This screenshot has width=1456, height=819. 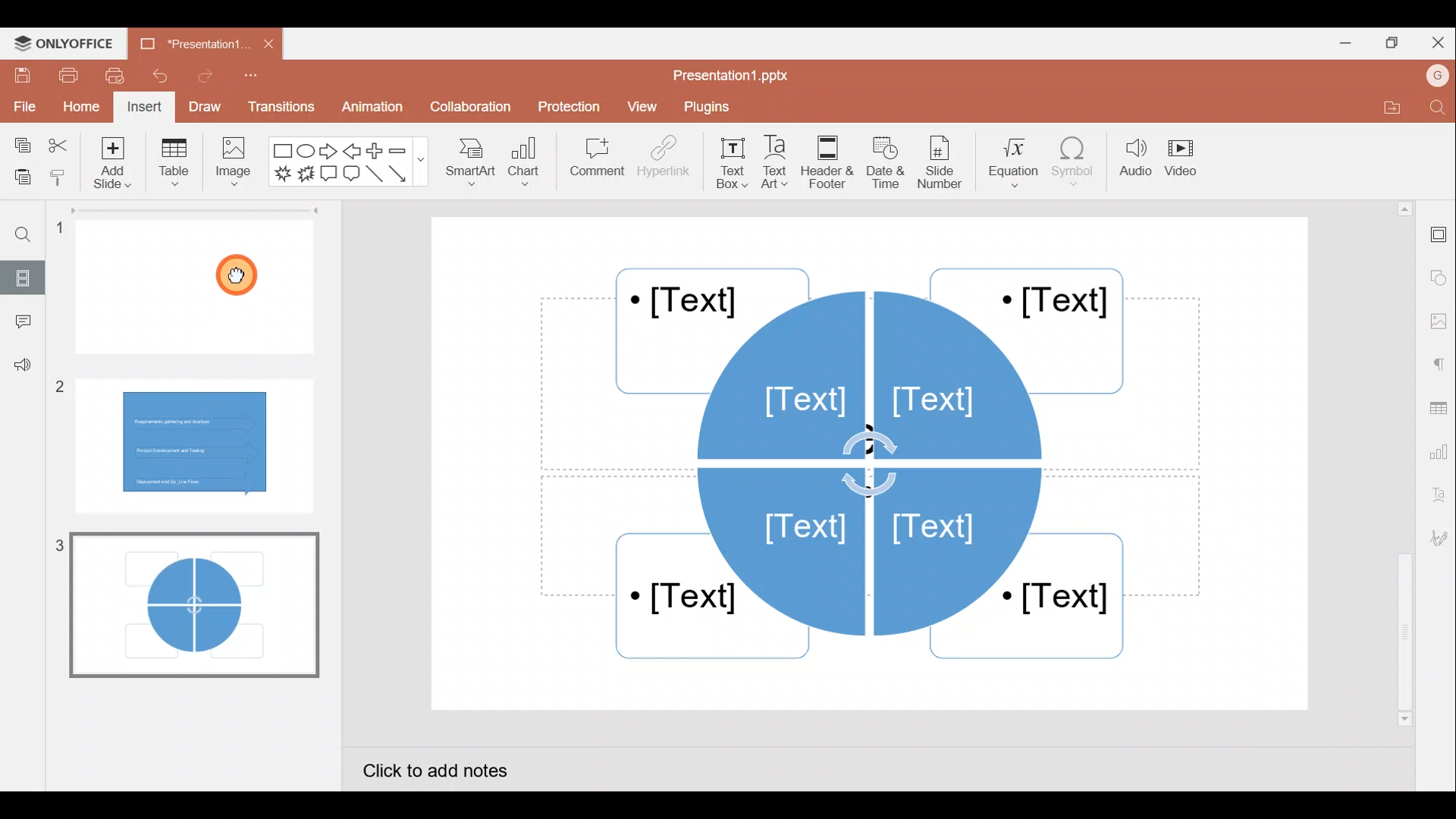 I want to click on Presentation slide, so click(x=875, y=462).